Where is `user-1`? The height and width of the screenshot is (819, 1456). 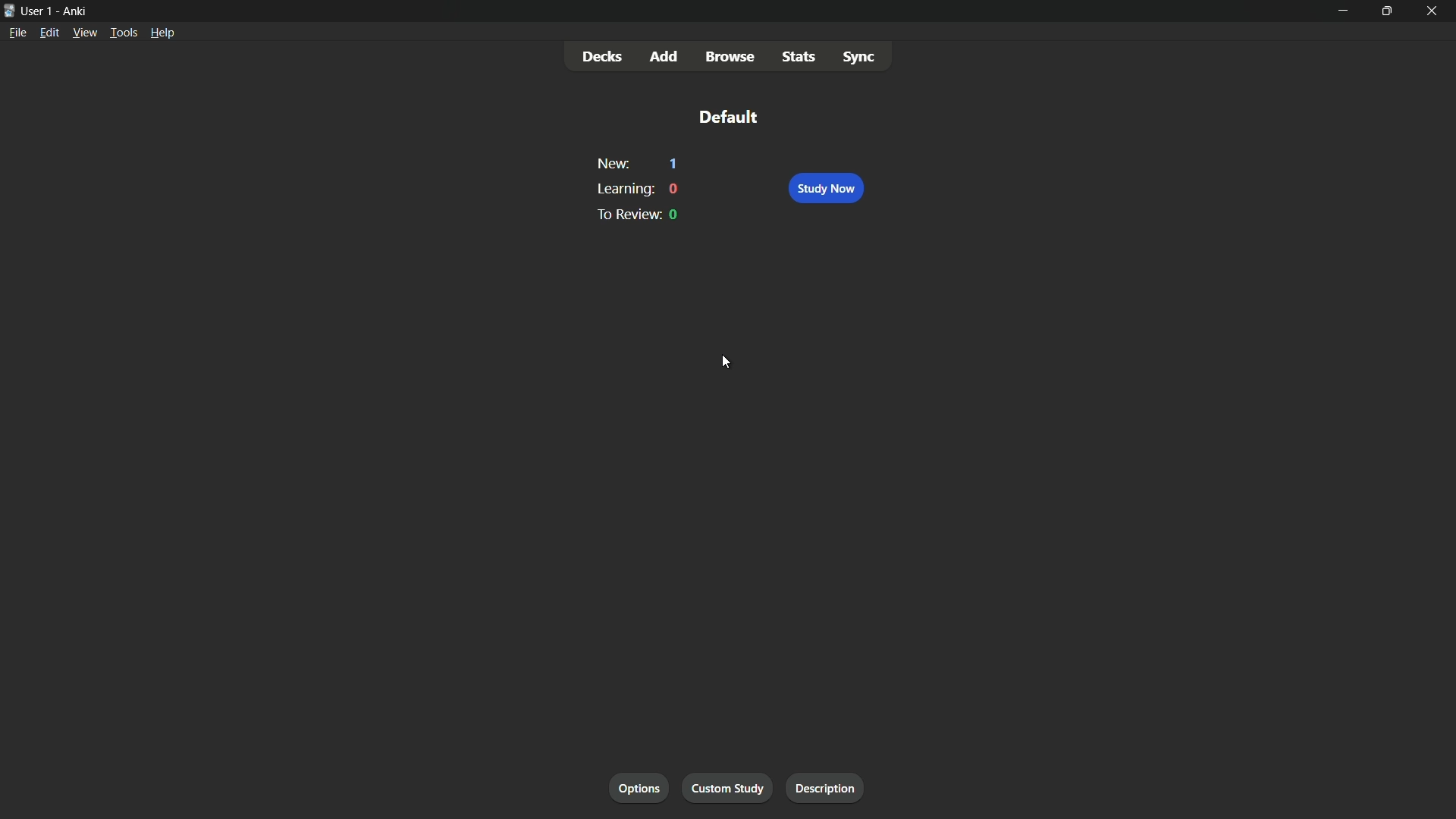
user-1 is located at coordinates (37, 9).